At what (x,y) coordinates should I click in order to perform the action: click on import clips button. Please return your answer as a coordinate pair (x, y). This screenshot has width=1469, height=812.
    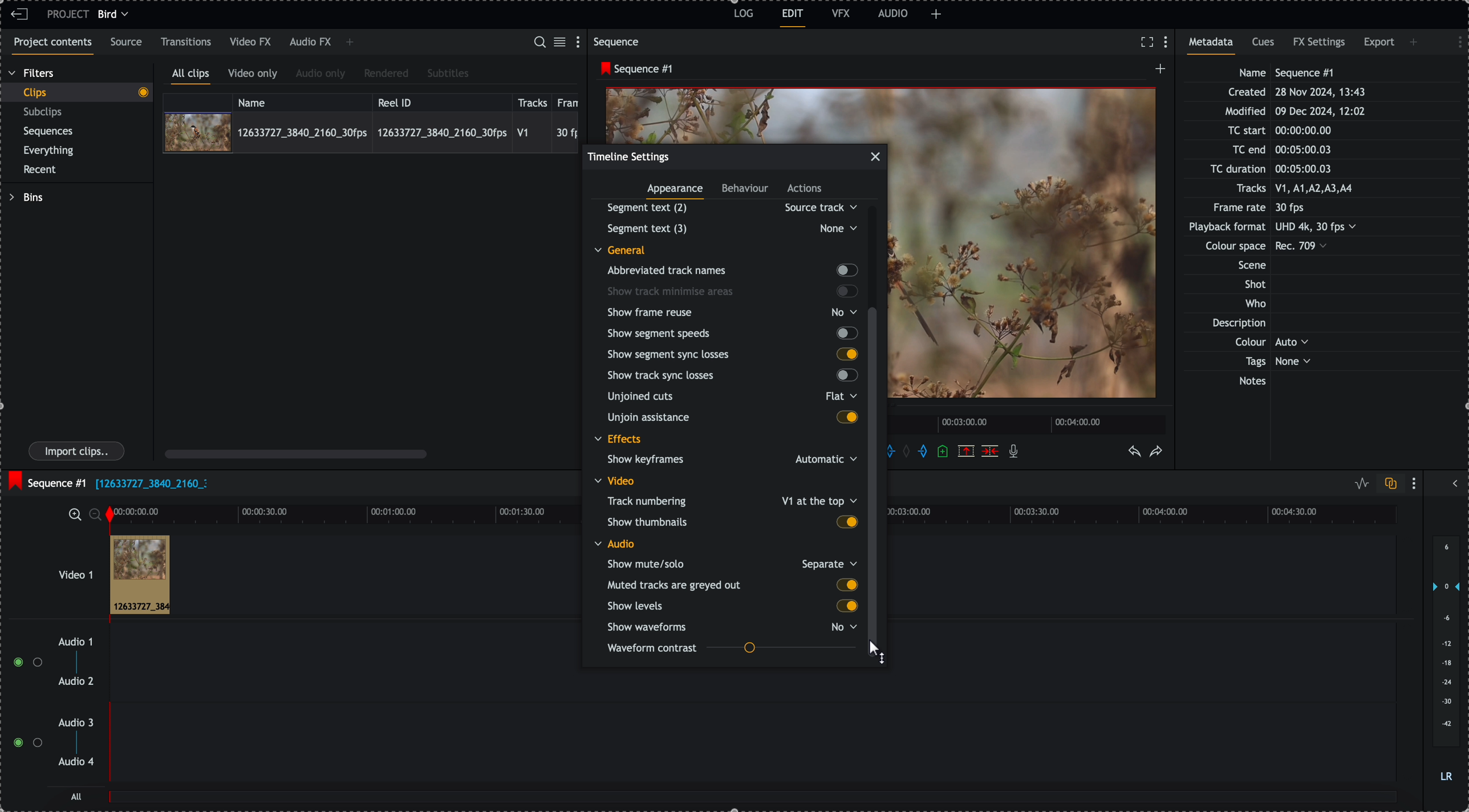
    Looking at the image, I should click on (78, 452).